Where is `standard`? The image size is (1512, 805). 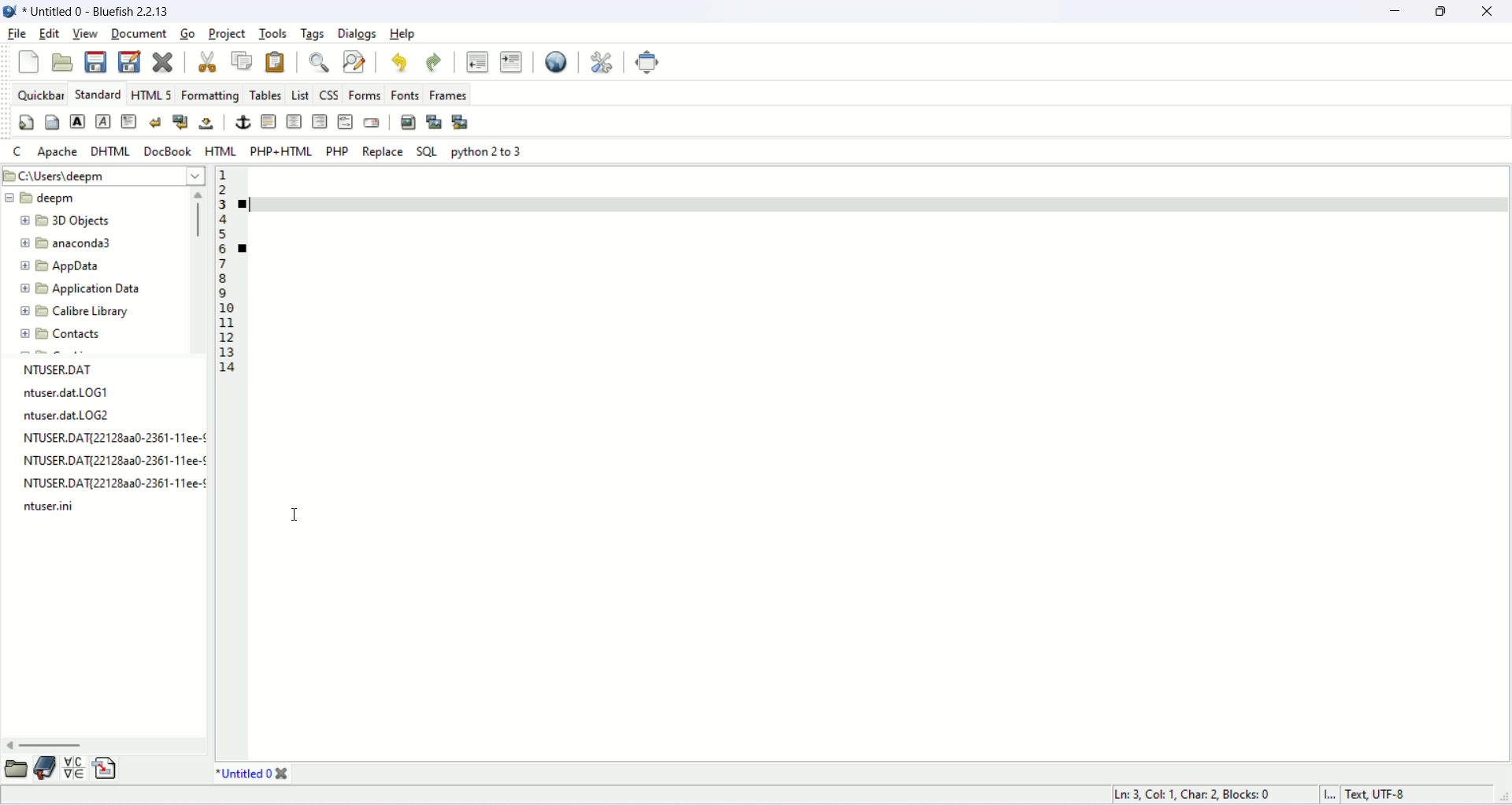
standard is located at coordinates (97, 94).